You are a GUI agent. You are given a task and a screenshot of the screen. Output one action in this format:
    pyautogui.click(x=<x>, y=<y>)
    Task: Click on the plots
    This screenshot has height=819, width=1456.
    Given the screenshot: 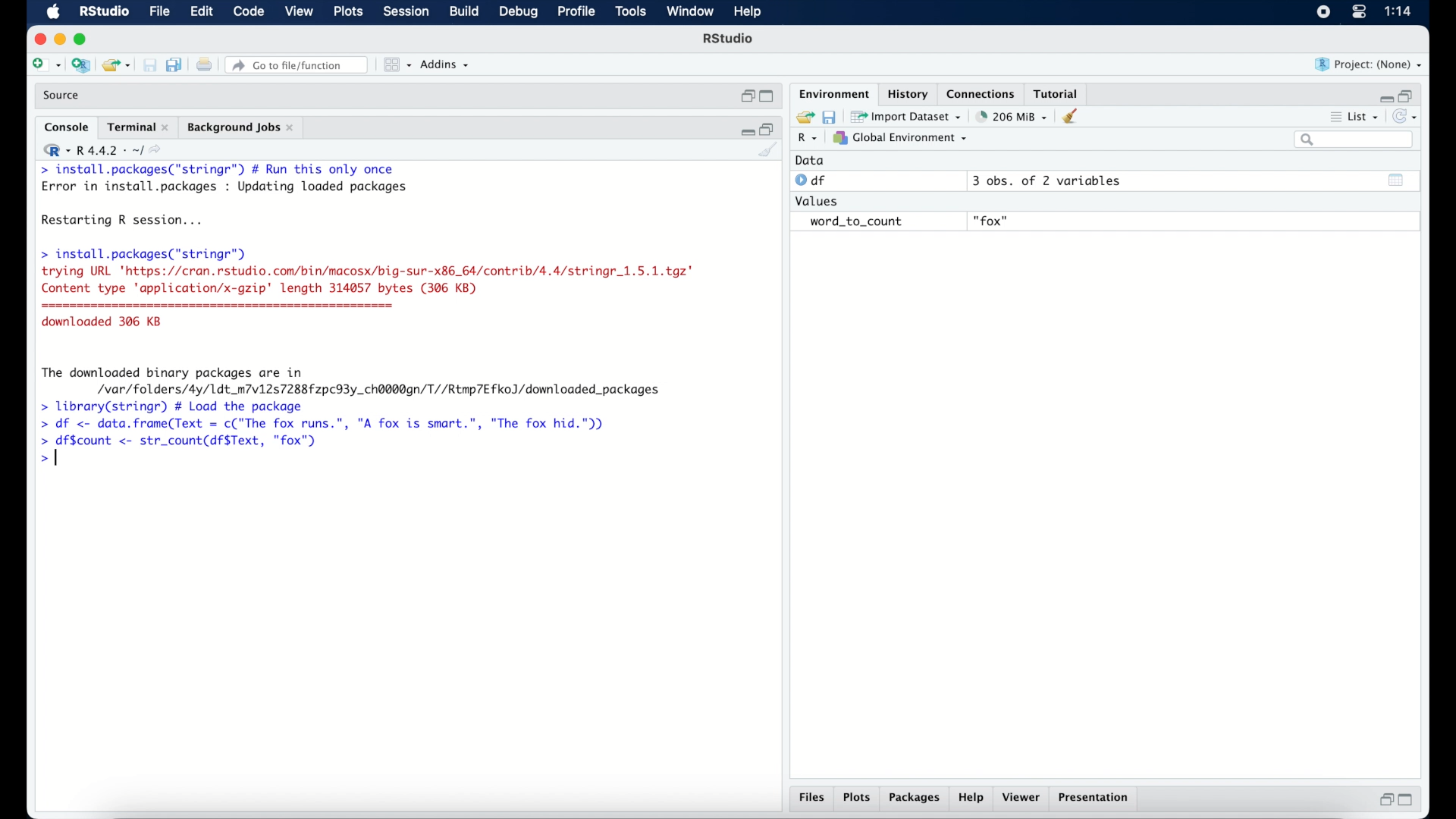 What is the action you would take?
    pyautogui.click(x=857, y=799)
    